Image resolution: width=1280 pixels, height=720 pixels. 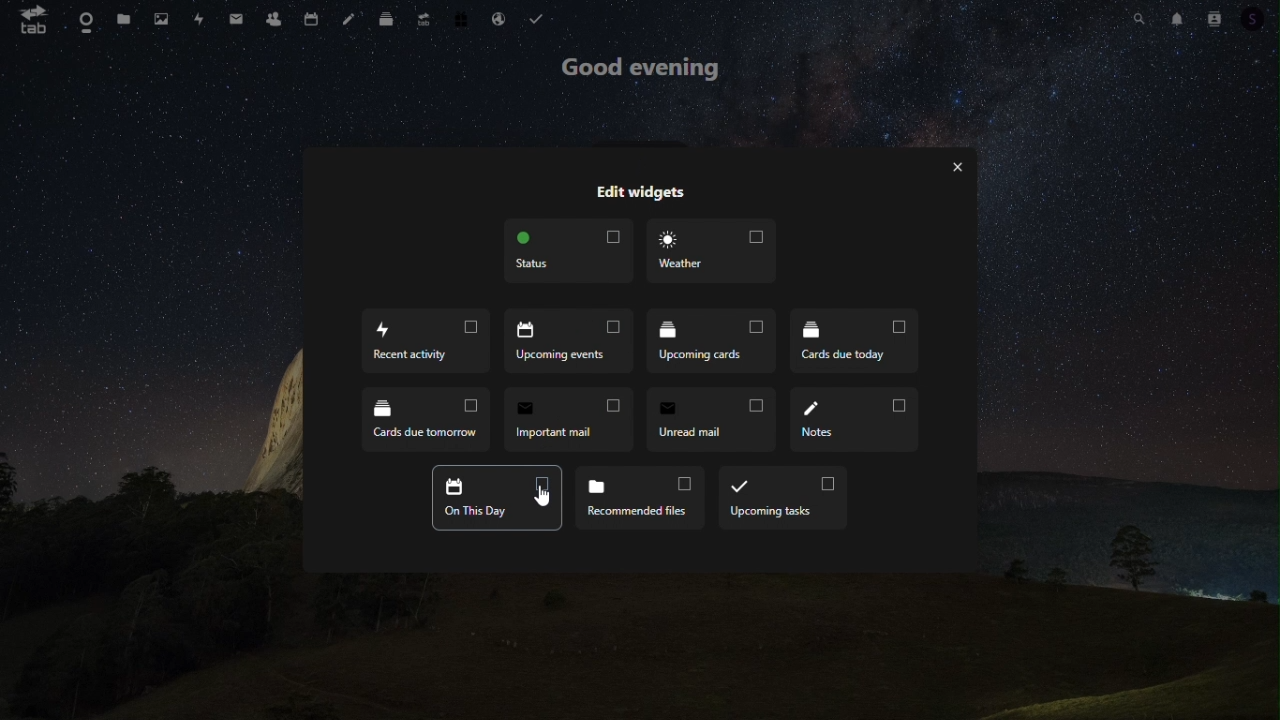 I want to click on Cursor, so click(x=545, y=499).